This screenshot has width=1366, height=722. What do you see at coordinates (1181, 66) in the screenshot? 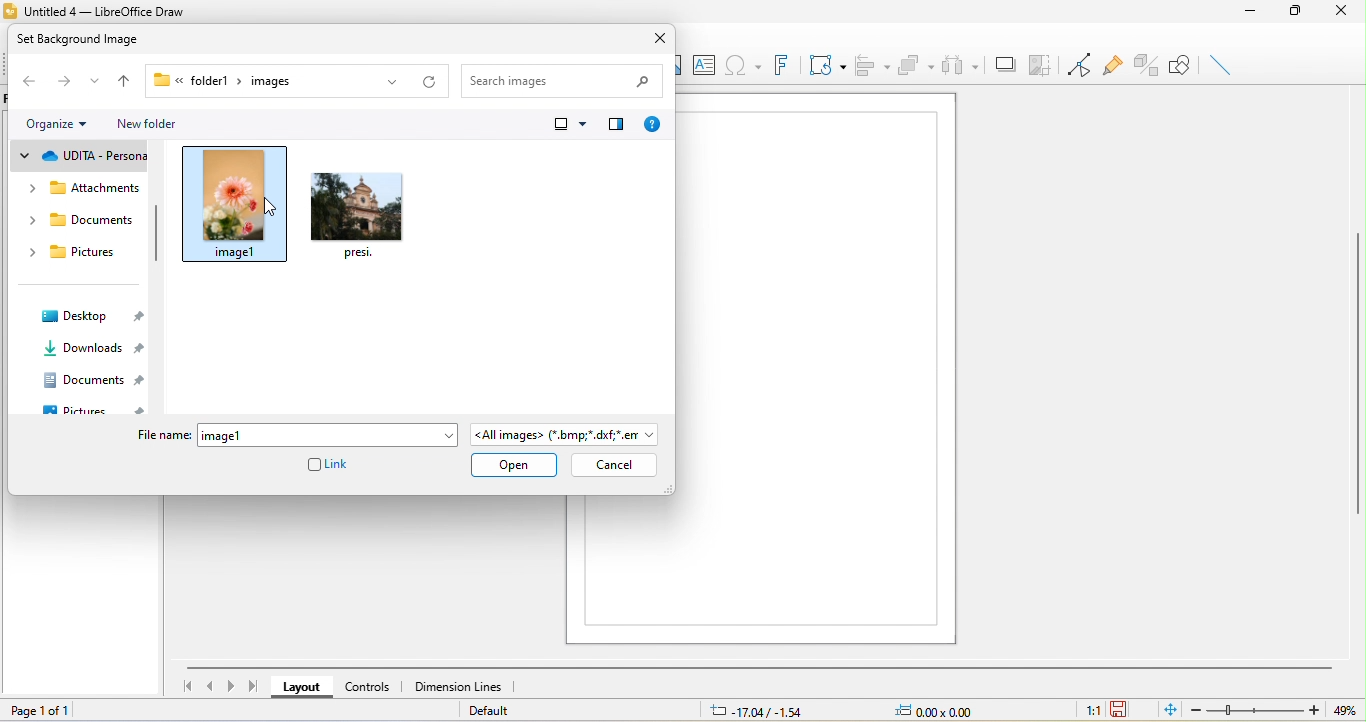
I see `show draw function` at bounding box center [1181, 66].